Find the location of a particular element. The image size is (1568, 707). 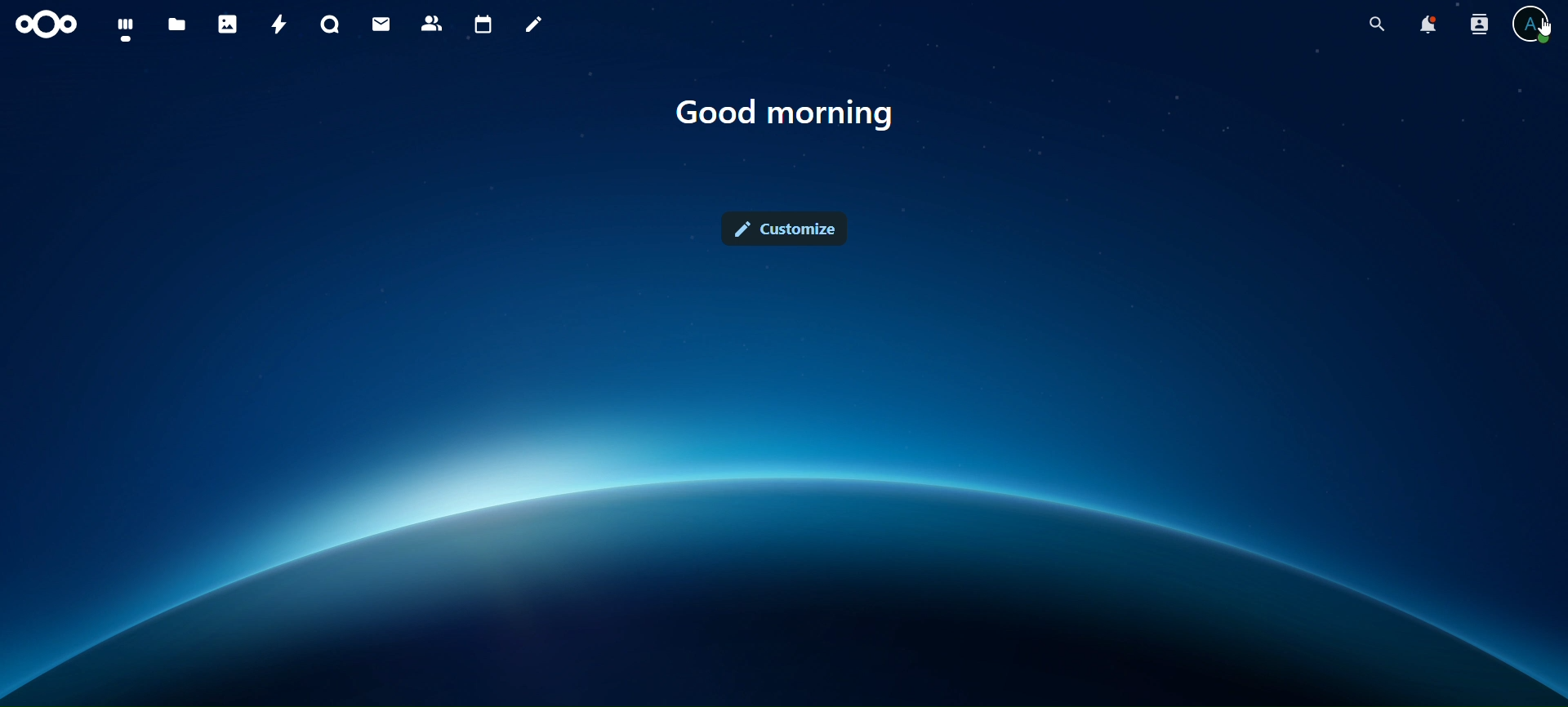

mail is located at coordinates (379, 24).